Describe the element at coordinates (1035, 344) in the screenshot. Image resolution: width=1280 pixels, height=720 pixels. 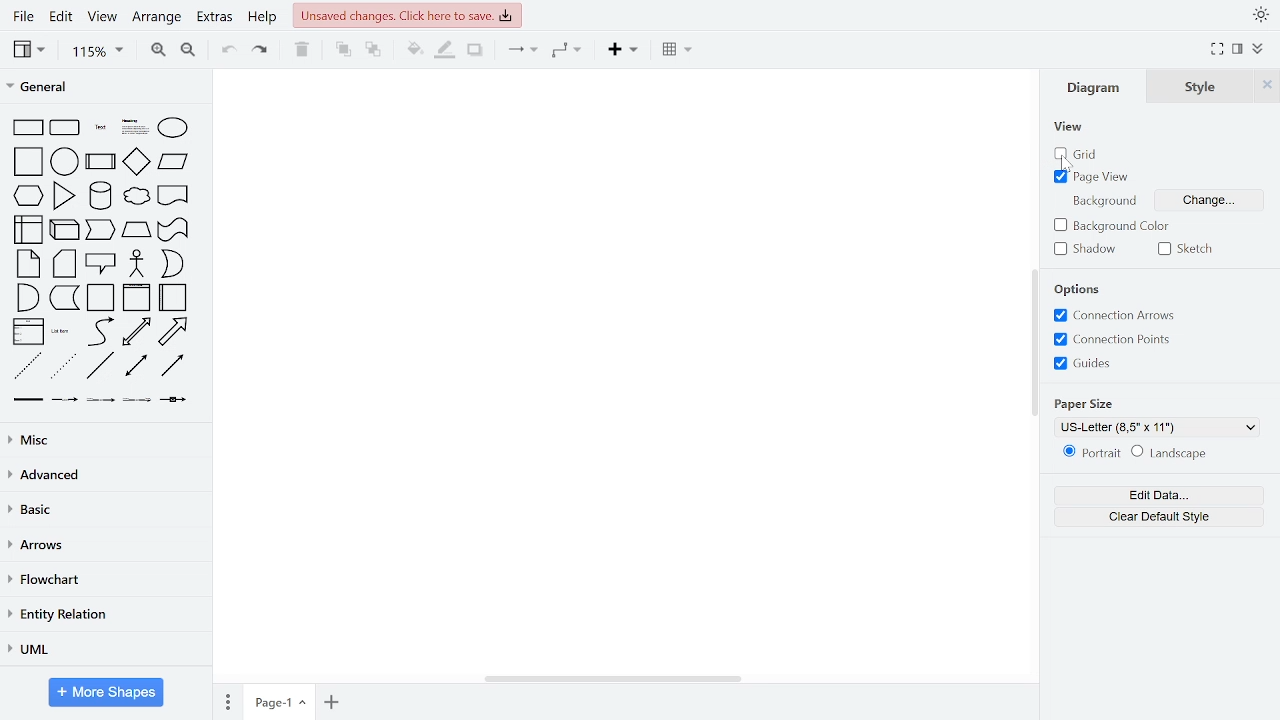
I see `vertical scrollbar` at that location.